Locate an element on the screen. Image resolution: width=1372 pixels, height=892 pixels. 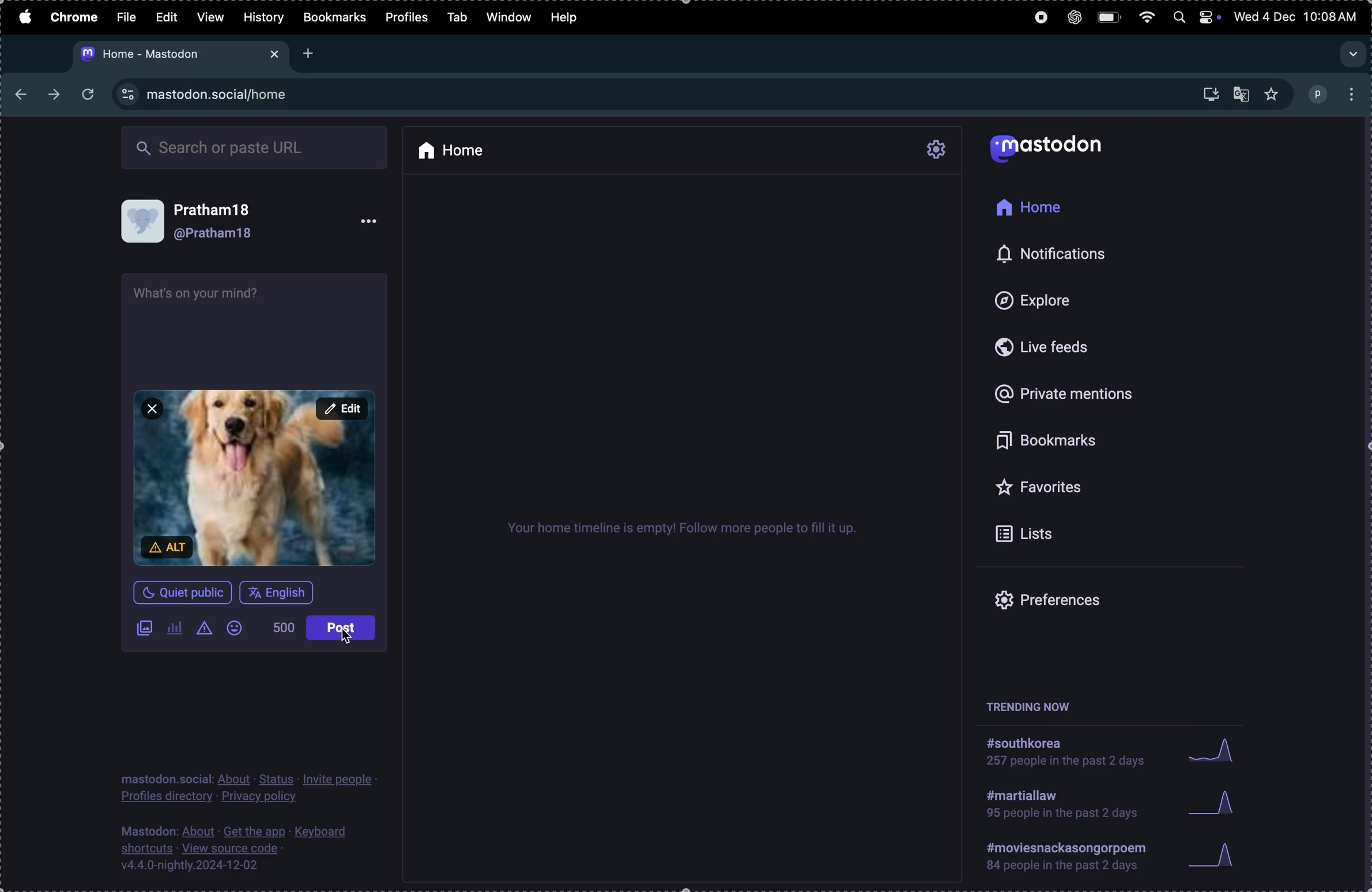
View is located at coordinates (209, 17).